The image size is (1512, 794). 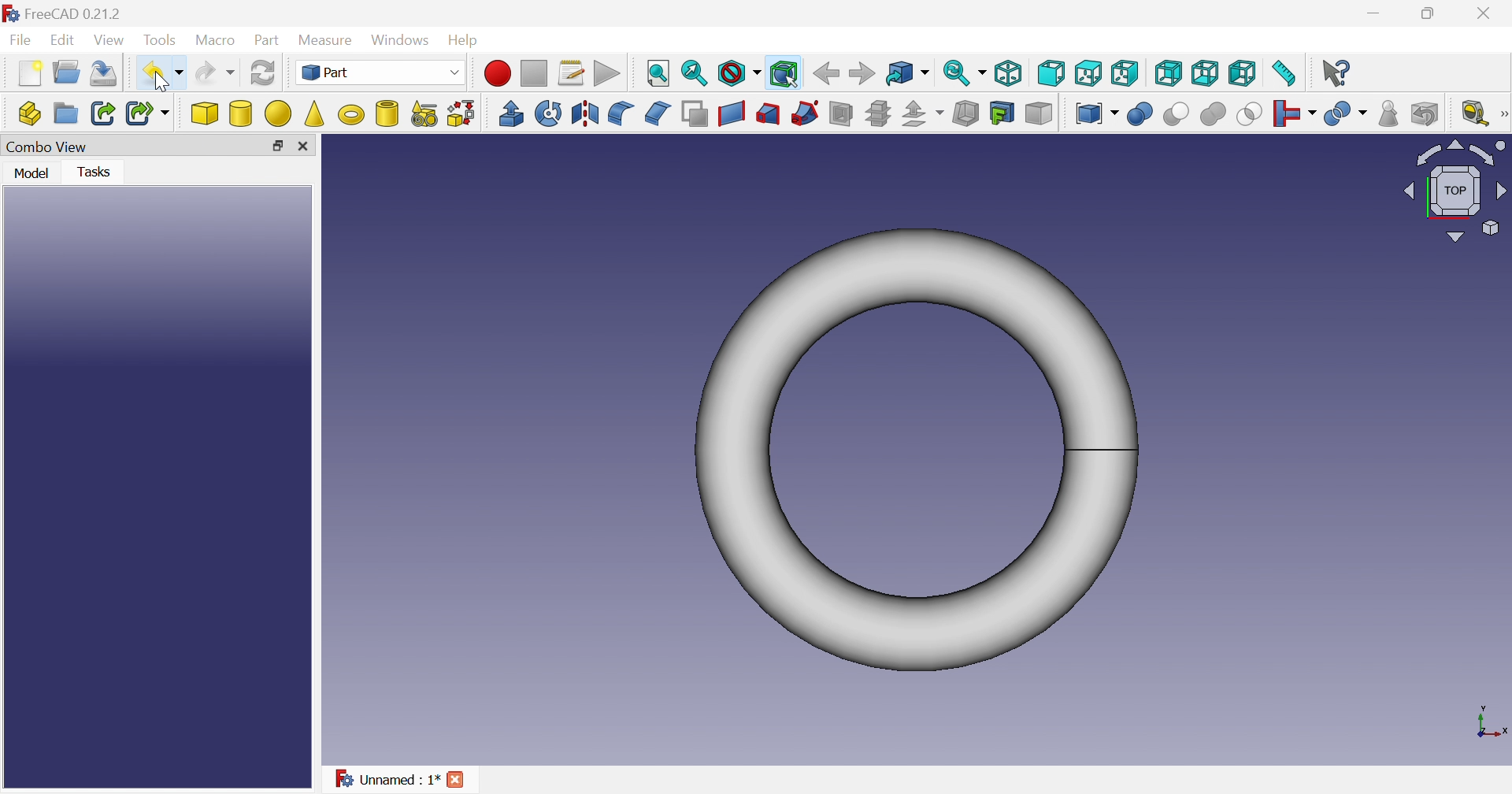 I want to click on Top, so click(x=1088, y=72).